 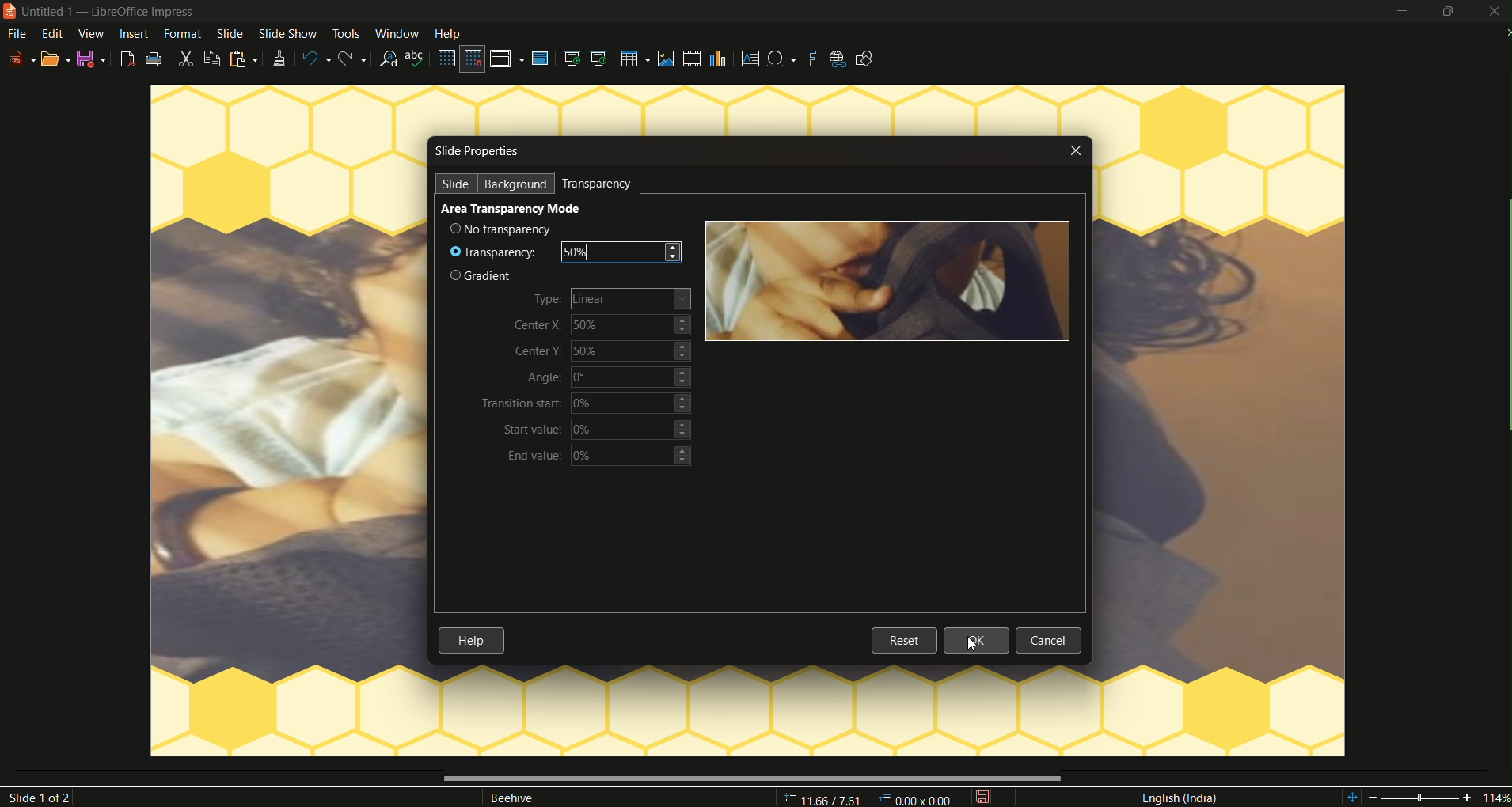 What do you see at coordinates (21, 59) in the screenshot?
I see `new file` at bounding box center [21, 59].